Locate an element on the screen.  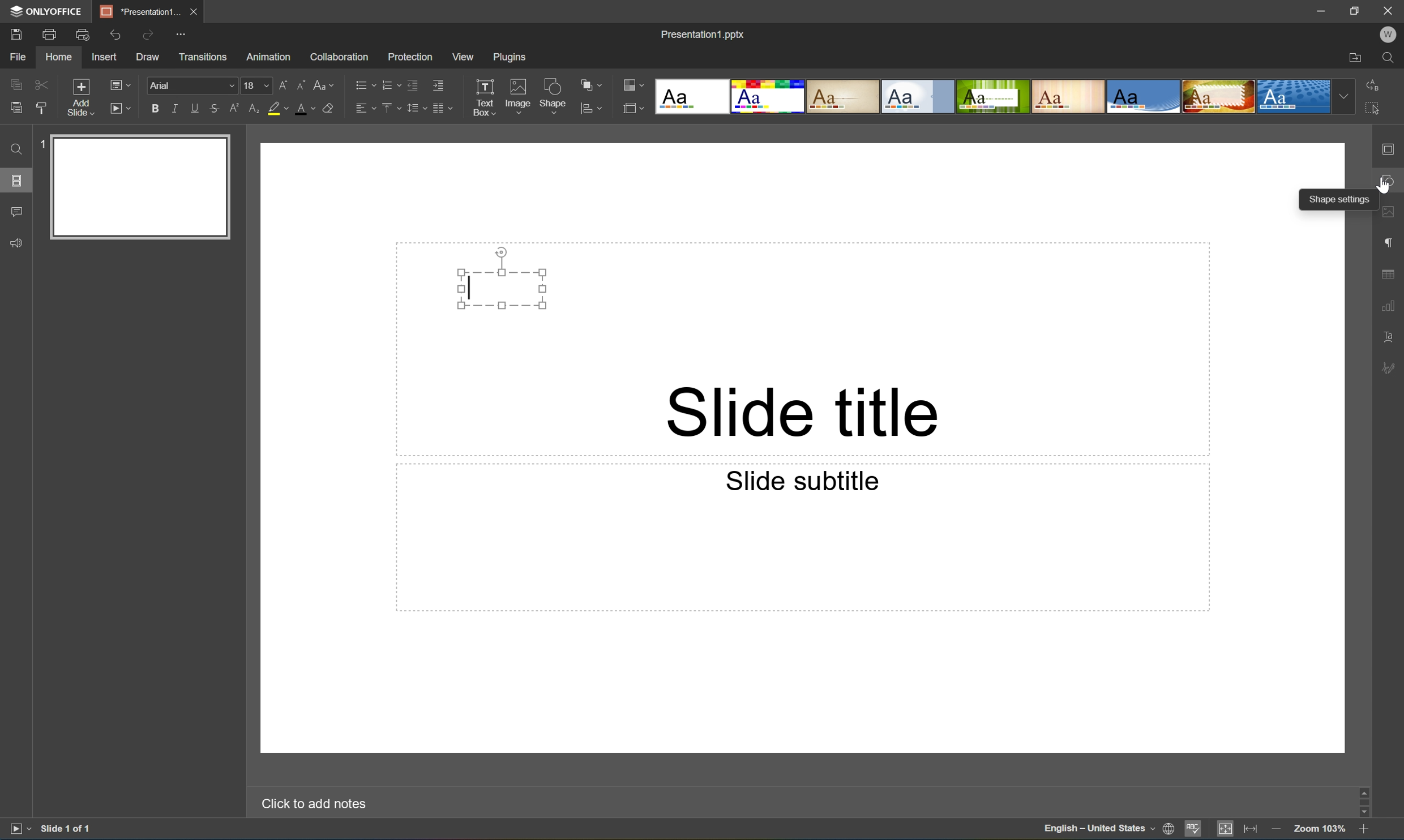
Horizontal align is located at coordinates (365, 109).